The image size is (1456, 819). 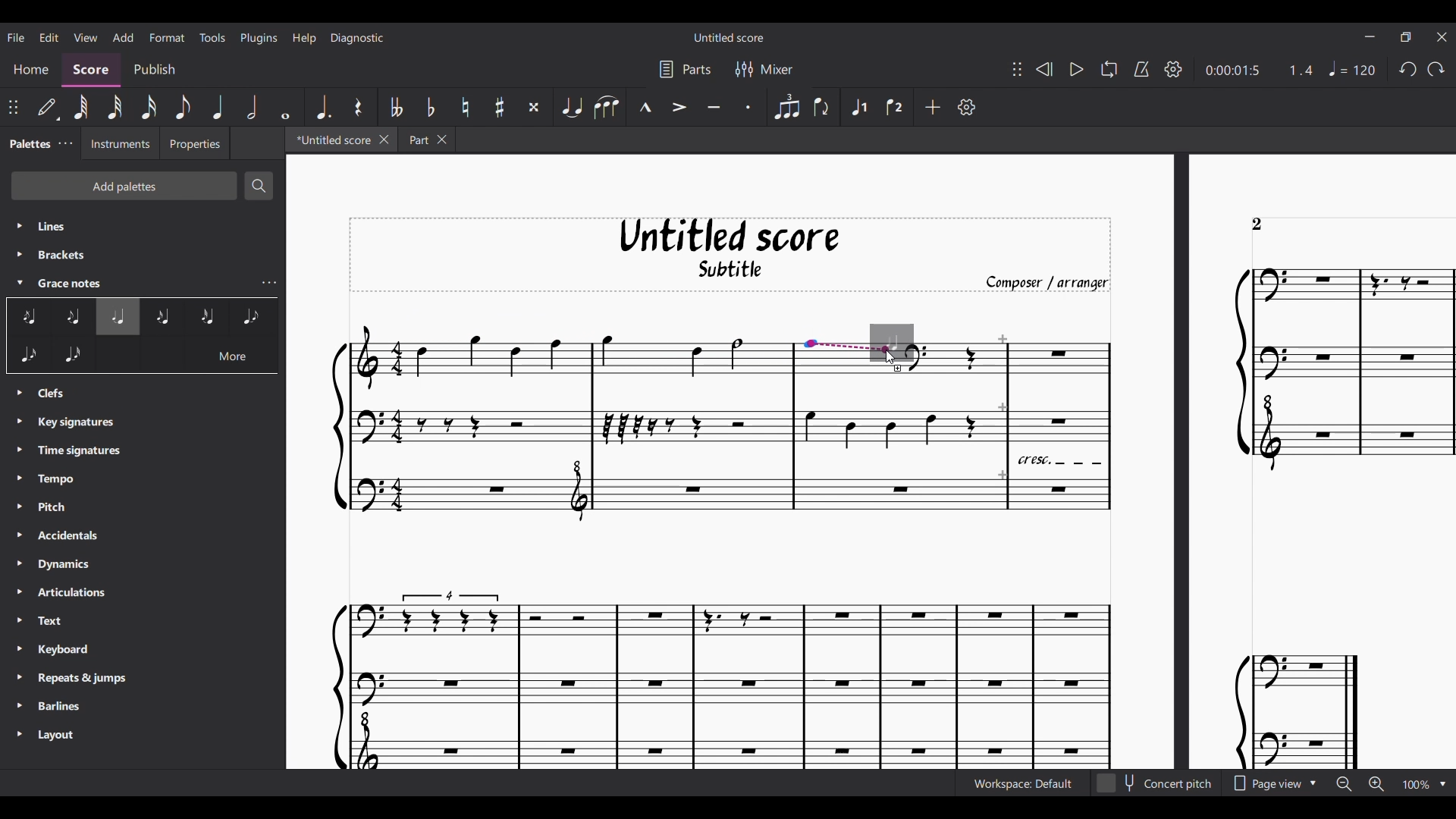 What do you see at coordinates (607, 107) in the screenshot?
I see `Slur` at bounding box center [607, 107].